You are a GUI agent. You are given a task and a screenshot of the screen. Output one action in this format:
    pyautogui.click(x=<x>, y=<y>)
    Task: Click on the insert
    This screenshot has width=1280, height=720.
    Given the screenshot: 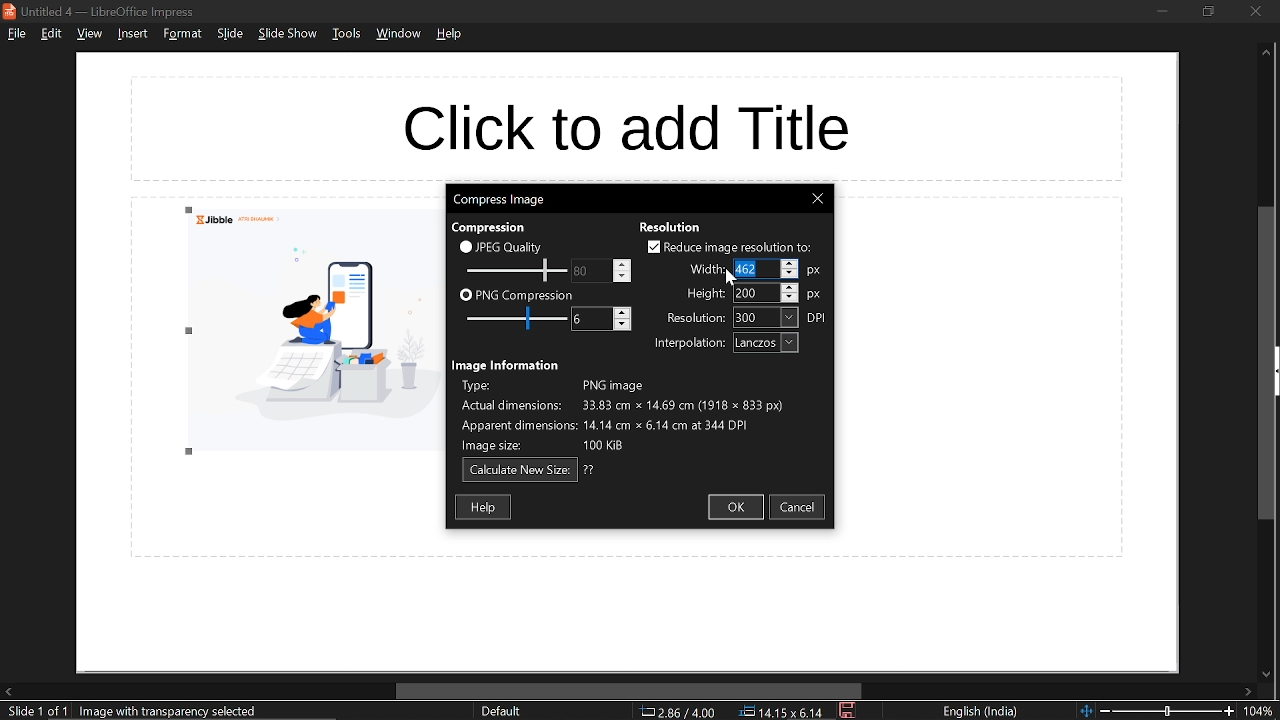 What is the action you would take?
    pyautogui.click(x=130, y=33)
    